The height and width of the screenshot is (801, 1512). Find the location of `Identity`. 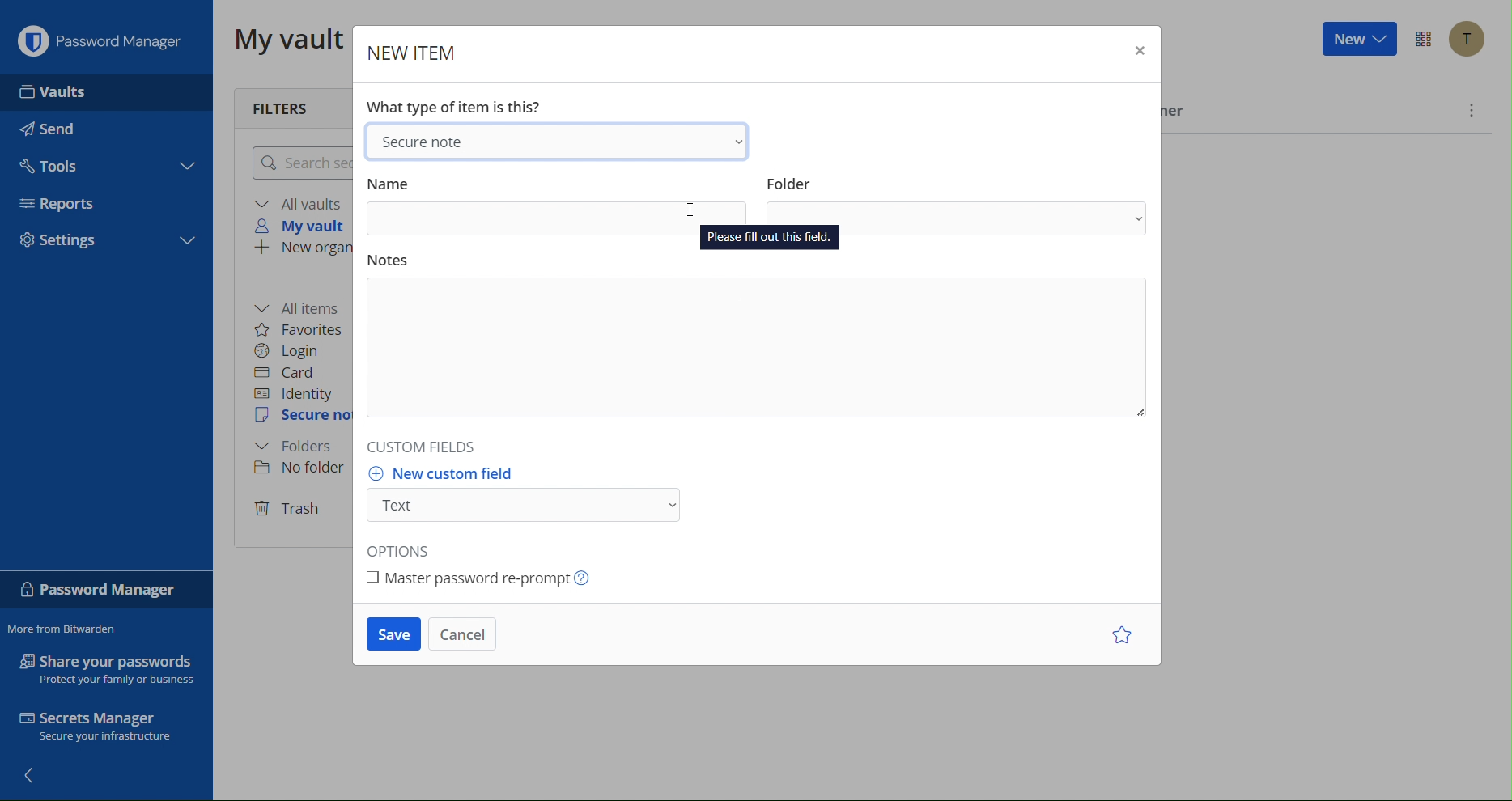

Identity is located at coordinates (297, 393).